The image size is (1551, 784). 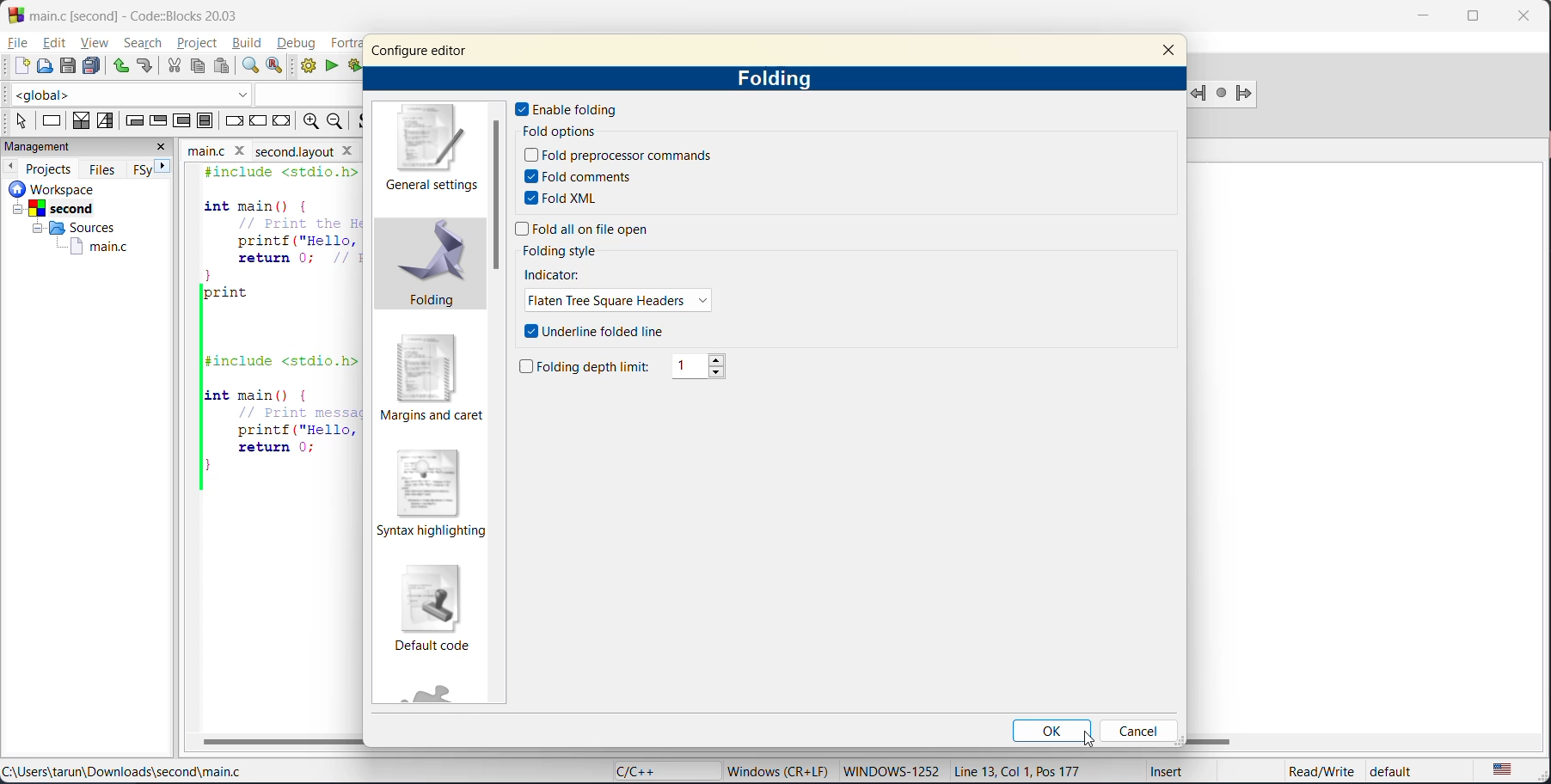 I want to click on maximize, so click(x=1471, y=19).